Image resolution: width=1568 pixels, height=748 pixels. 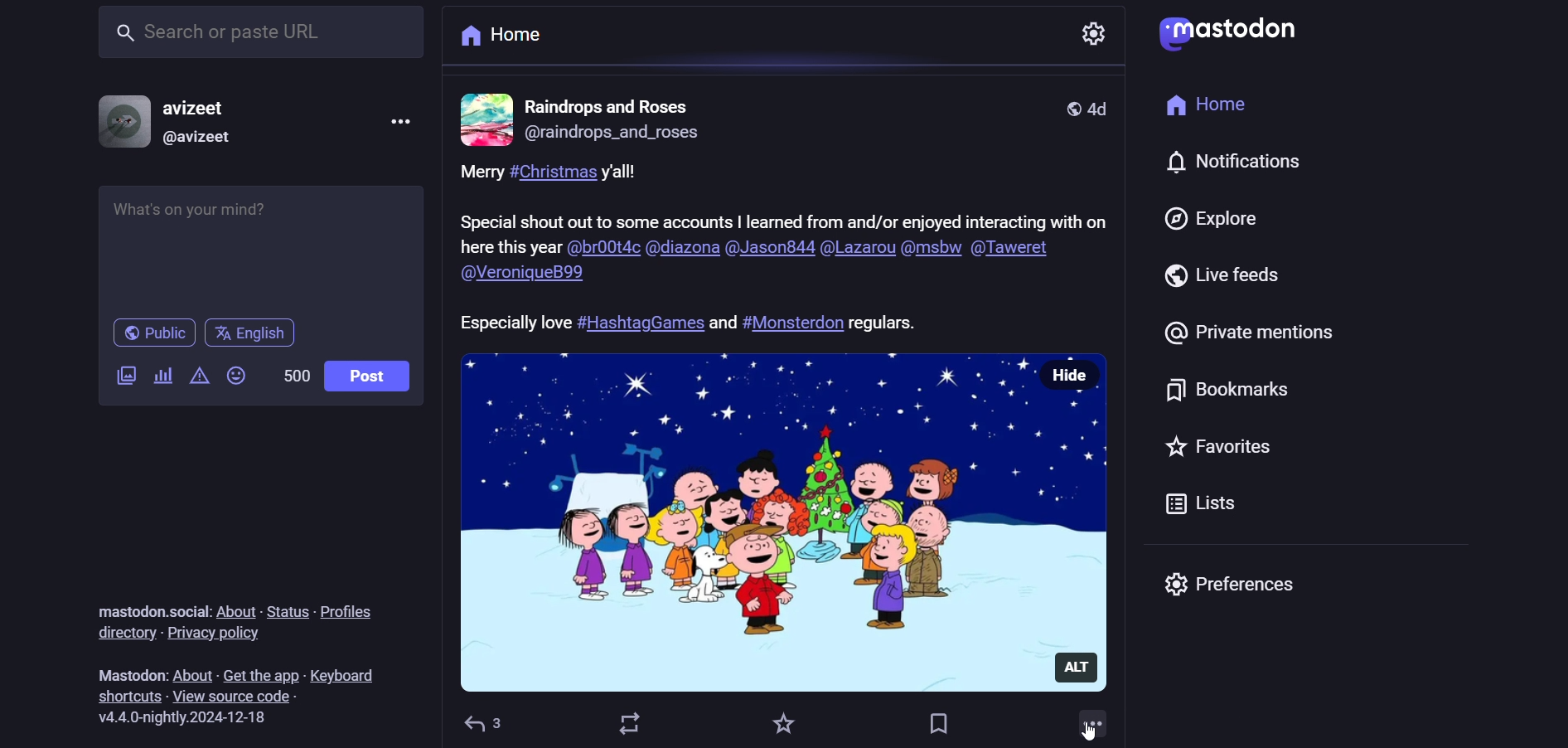 What do you see at coordinates (259, 245) in the screenshot?
I see `whats on your mind` at bounding box center [259, 245].